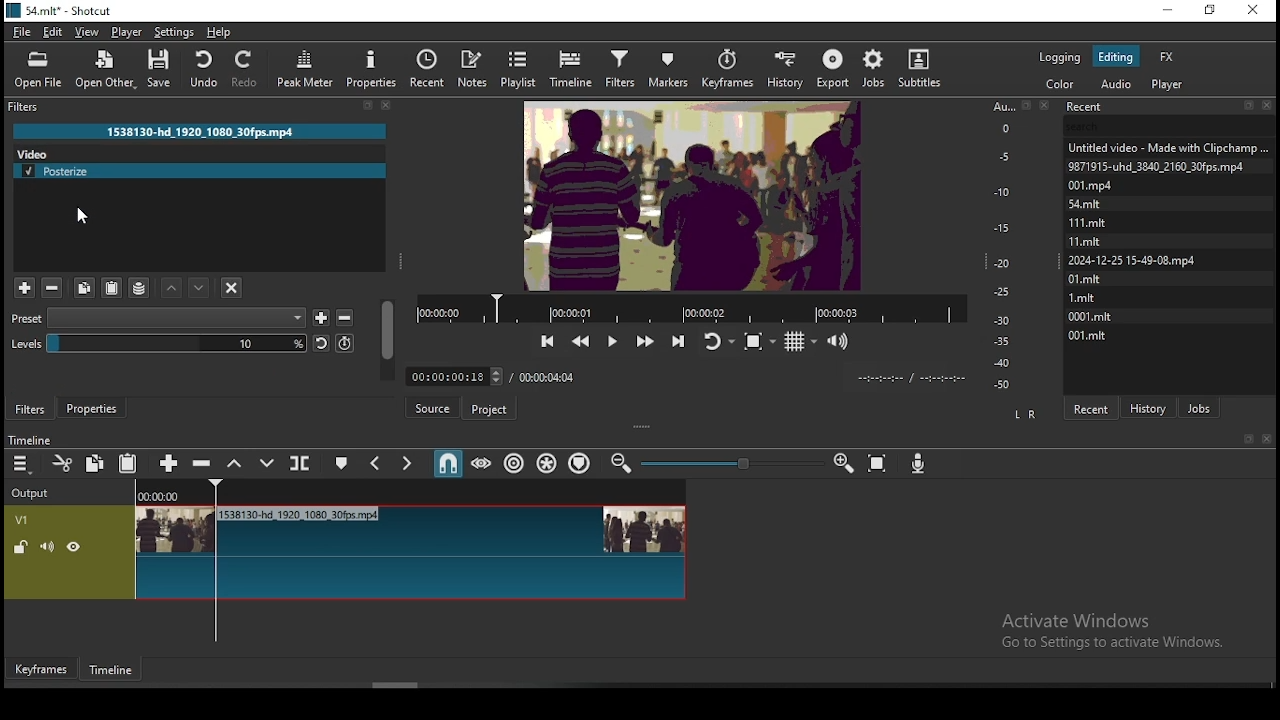  What do you see at coordinates (548, 376) in the screenshot?
I see `total time` at bounding box center [548, 376].